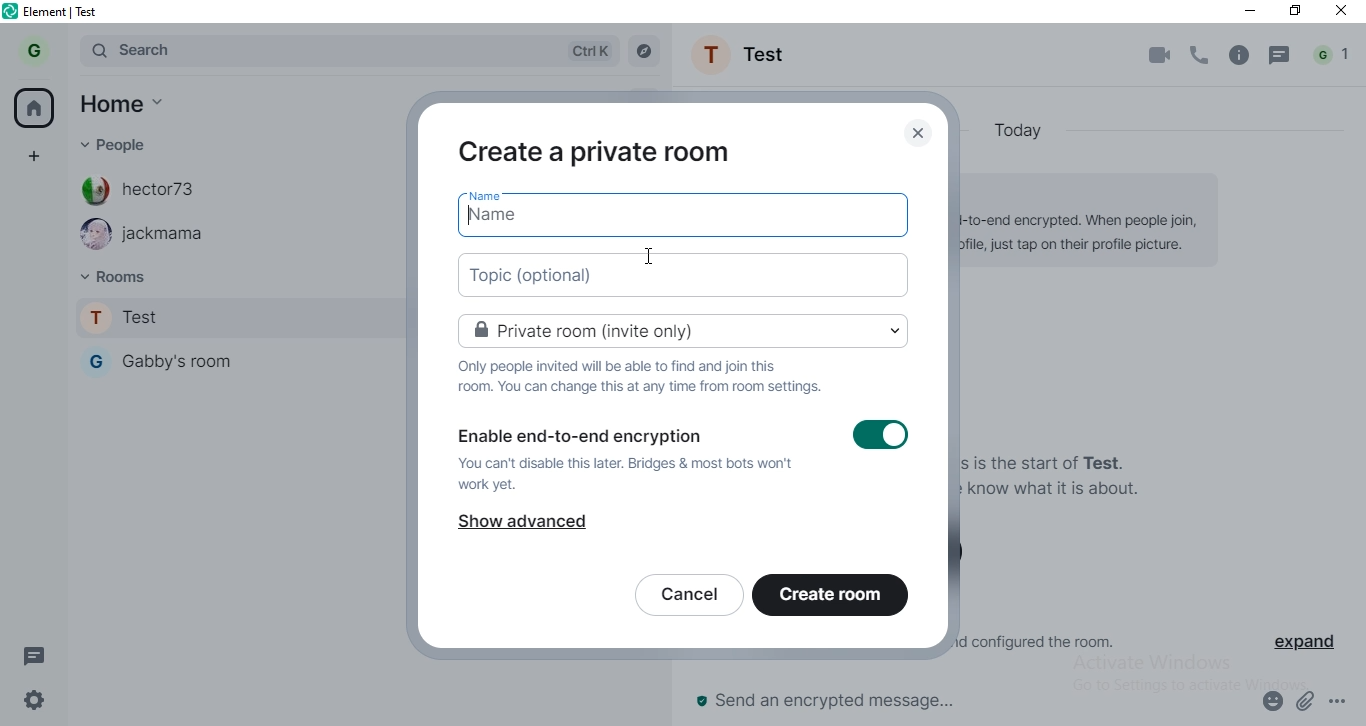  What do you see at coordinates (1344, 14) in the screenshot?
I see `close` at bounding box center [1344, 14].